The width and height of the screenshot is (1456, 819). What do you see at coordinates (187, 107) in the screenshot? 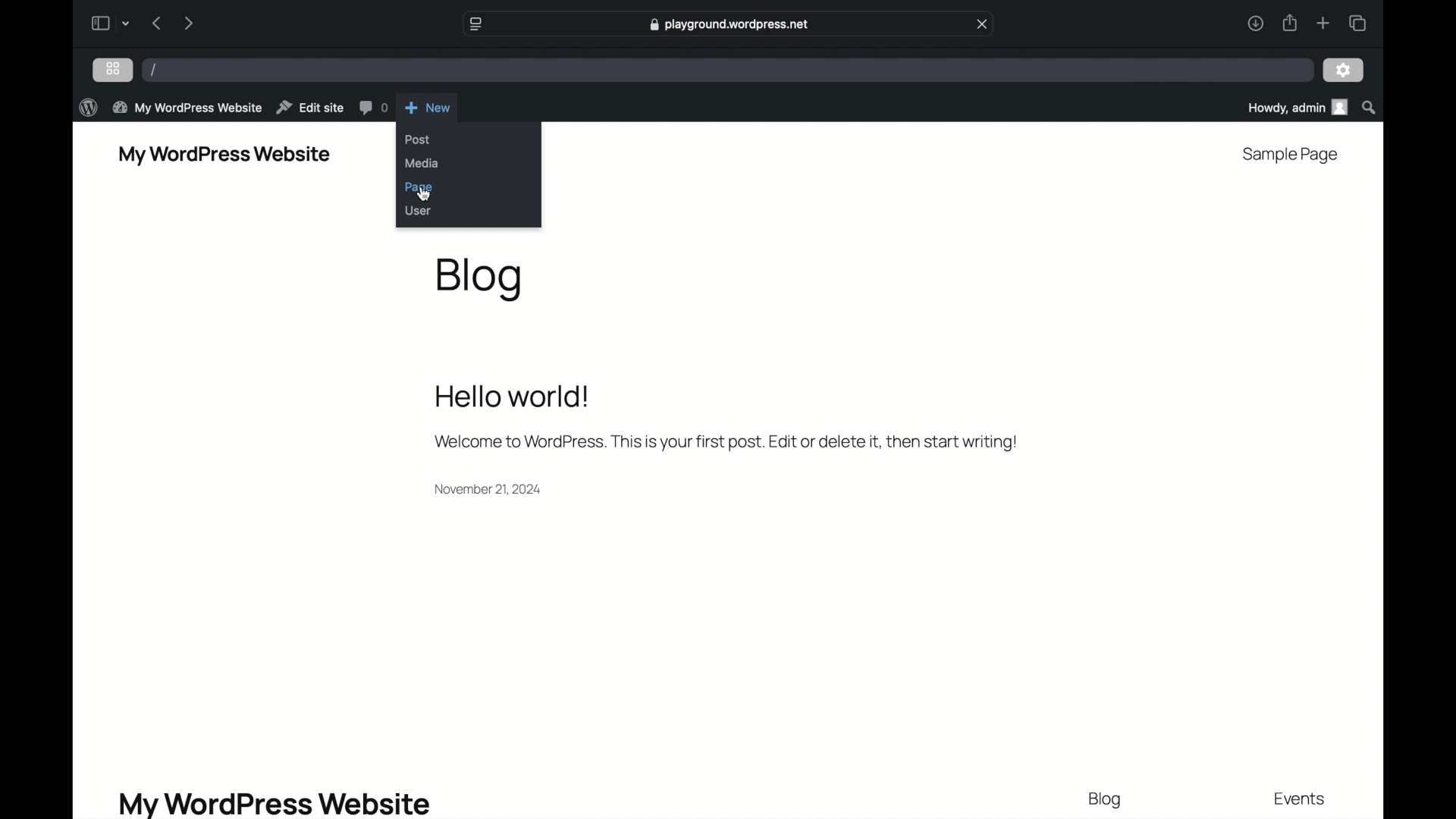
I see `my wordpress website` at bounding box center [187, 107].